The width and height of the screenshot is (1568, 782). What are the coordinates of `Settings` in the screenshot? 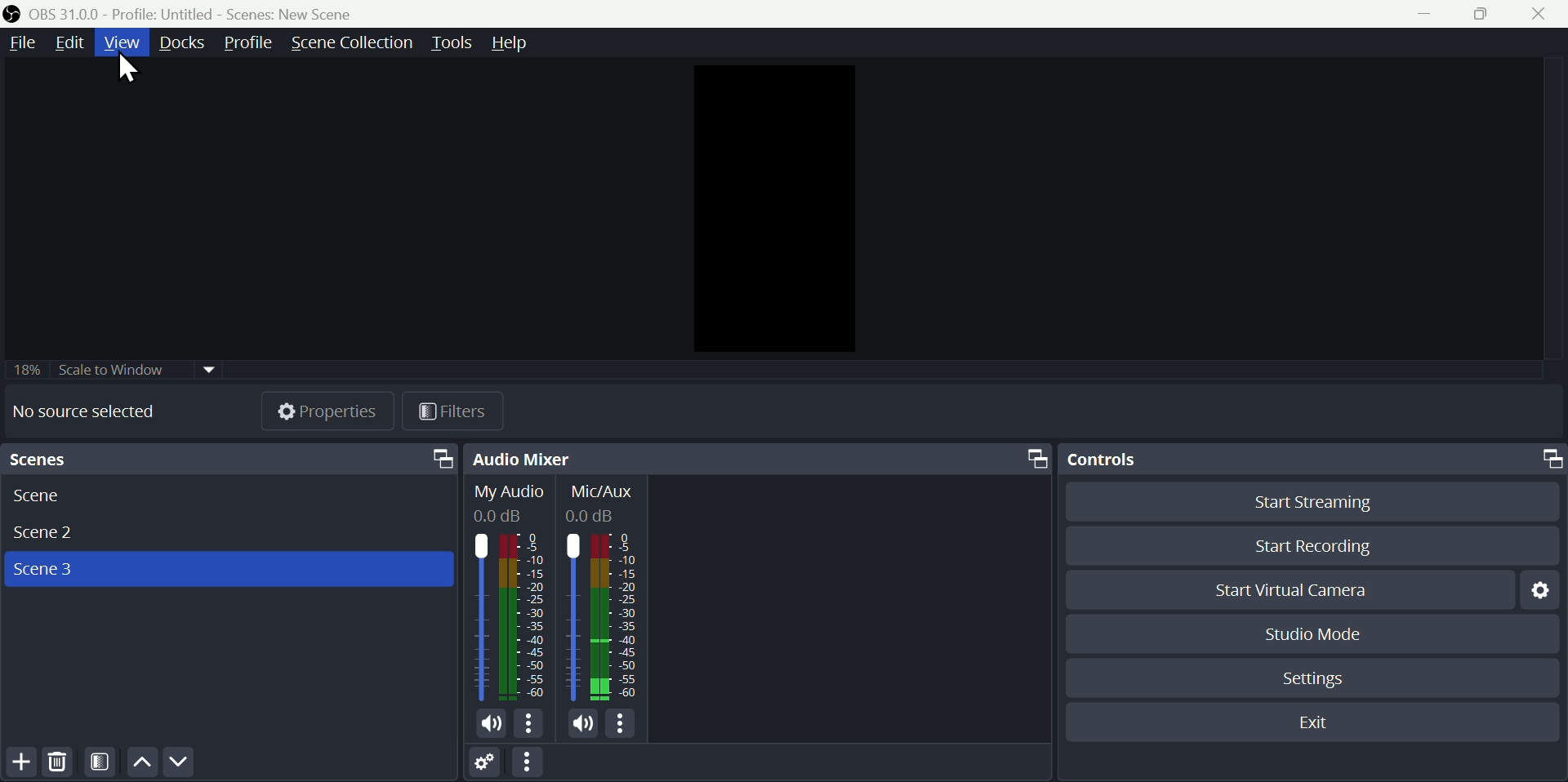 It's located at (1543, 591).